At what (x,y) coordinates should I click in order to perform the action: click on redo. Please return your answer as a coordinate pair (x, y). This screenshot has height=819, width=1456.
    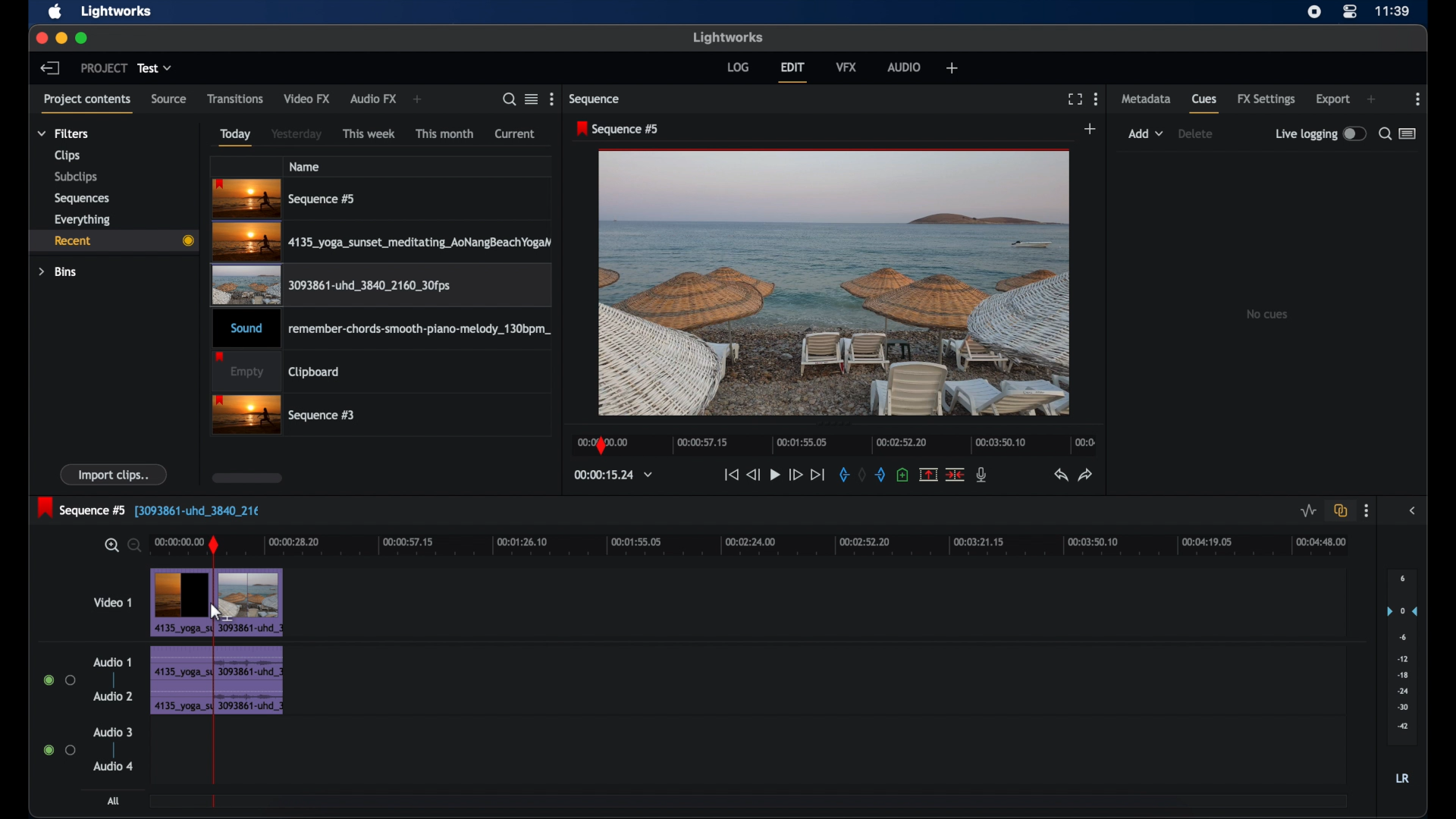
    Looking at the image, I should click on (1086, 475).